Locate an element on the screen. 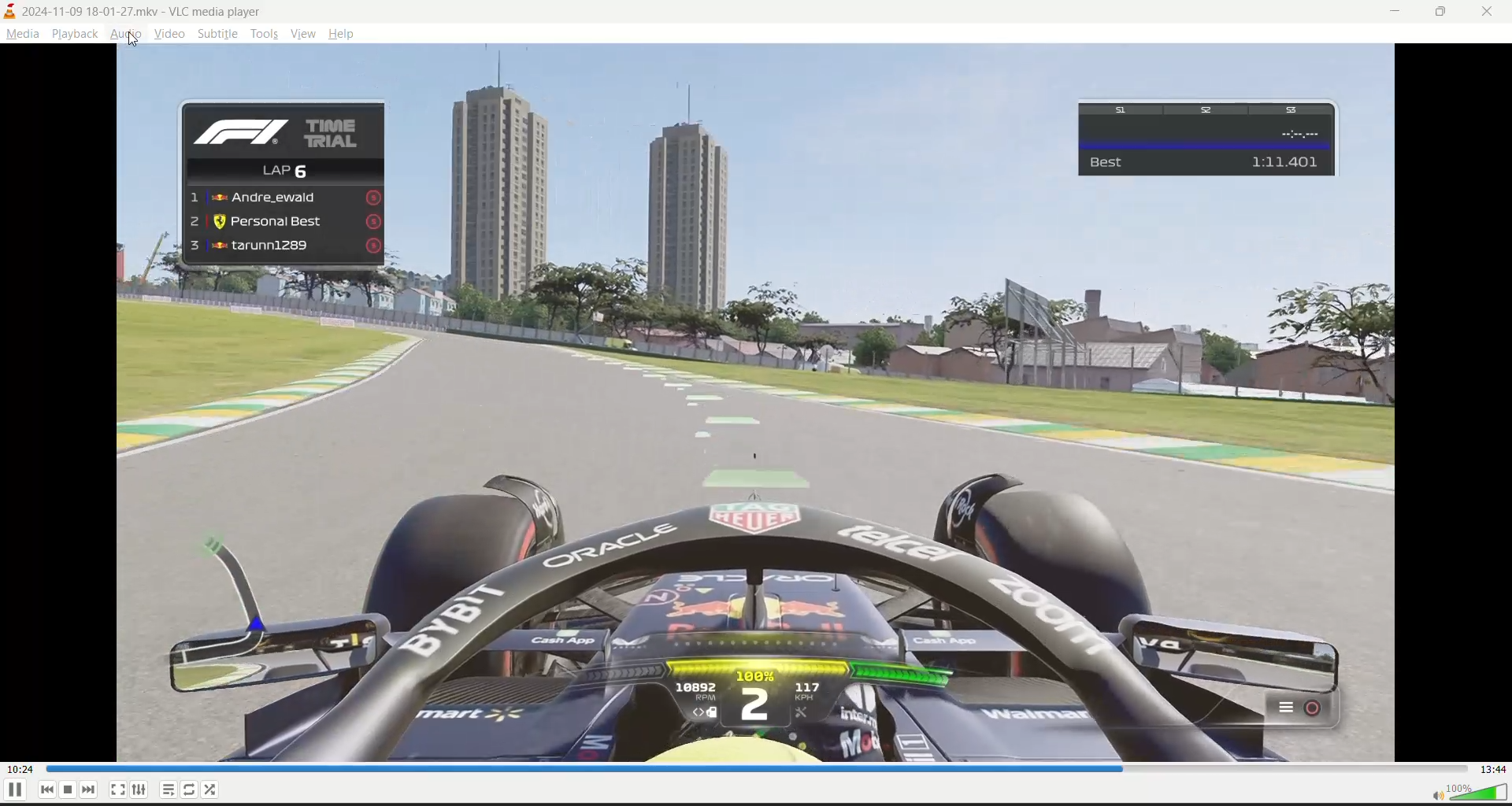 The height and width of the screenshot is (806, 1512). maximize is located at coordinates (1443, 13).